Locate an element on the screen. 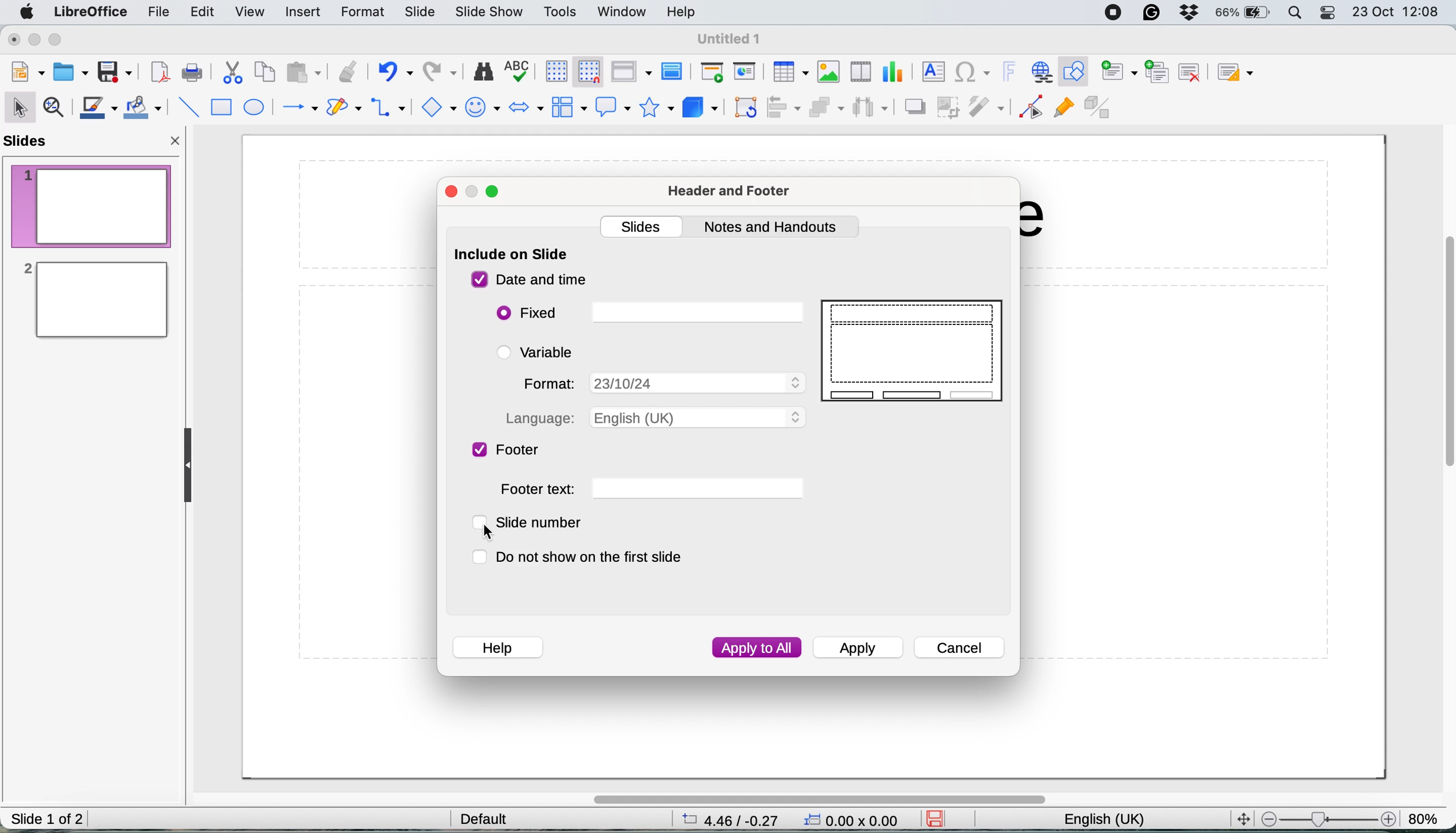 The height and width of the screenshot is (833, 1456). cancel is located at coordinates (960, 648).